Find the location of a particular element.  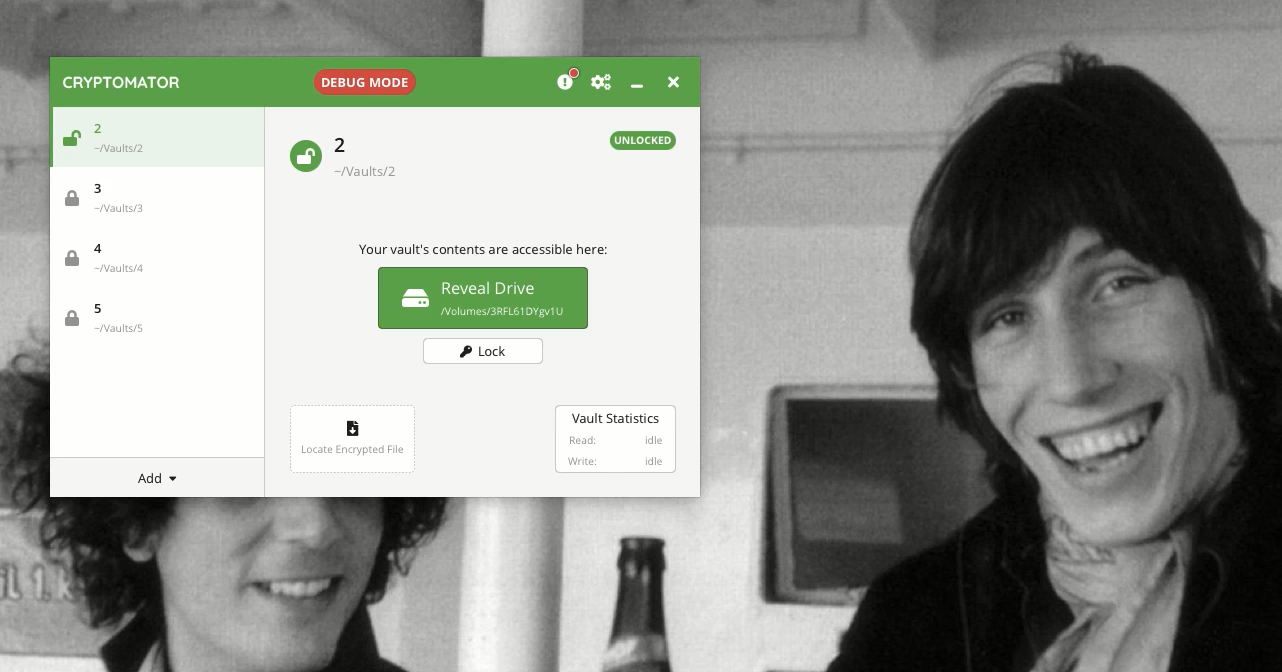

Add menu is located at coordinates (161, 479).